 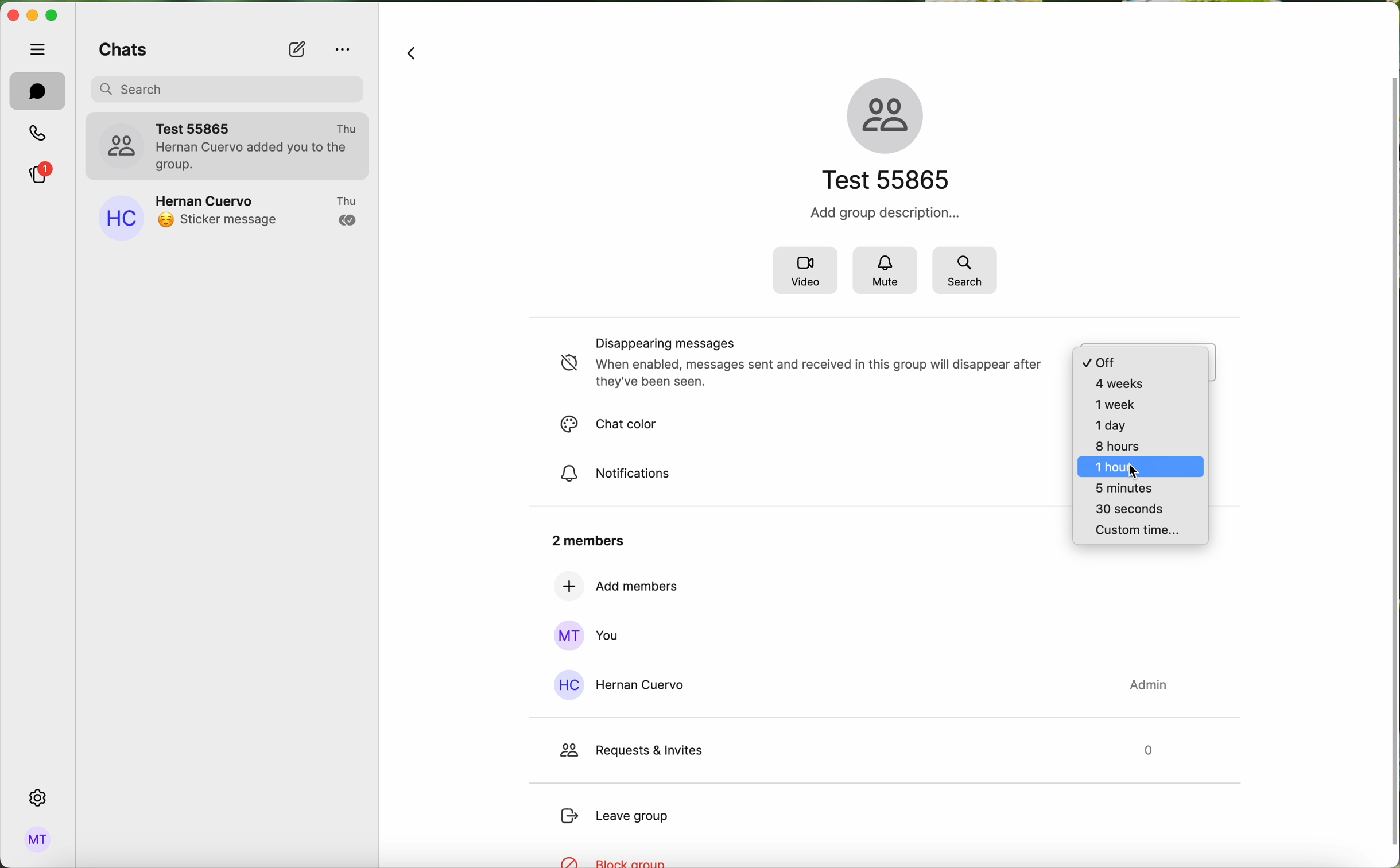 What do you see at coordinates (39, 172) in the screenshot?
I see `stories` at bounding box center [39, 172].